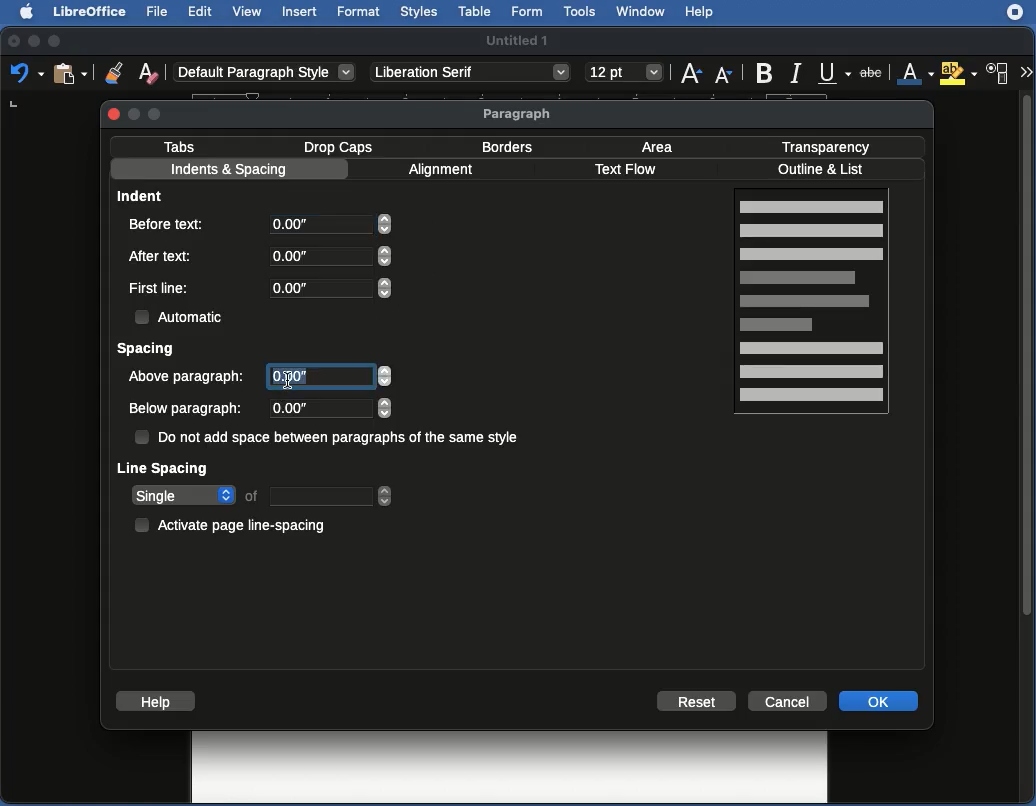  Describe the element at coordinates (914, 74) in the screenshot. I see `Font color` at that location.